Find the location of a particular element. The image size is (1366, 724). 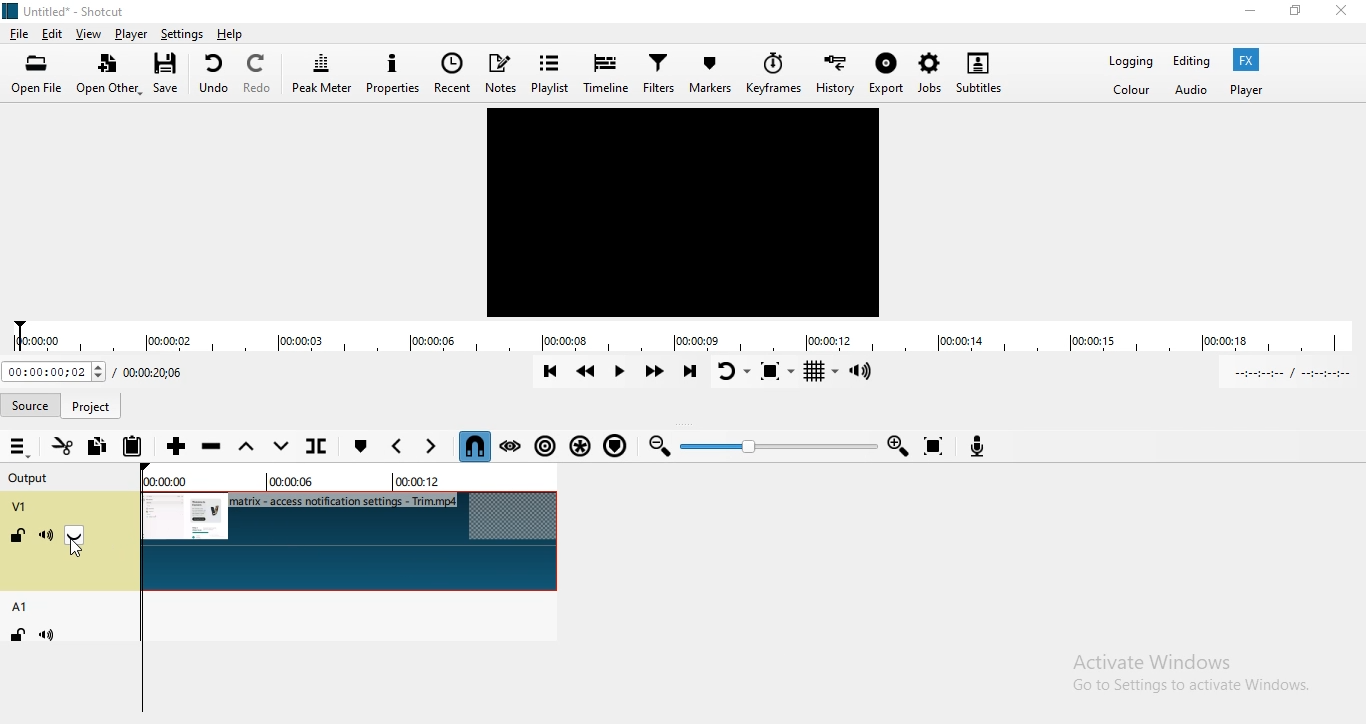

In point is located at coordinates (1295, 372).